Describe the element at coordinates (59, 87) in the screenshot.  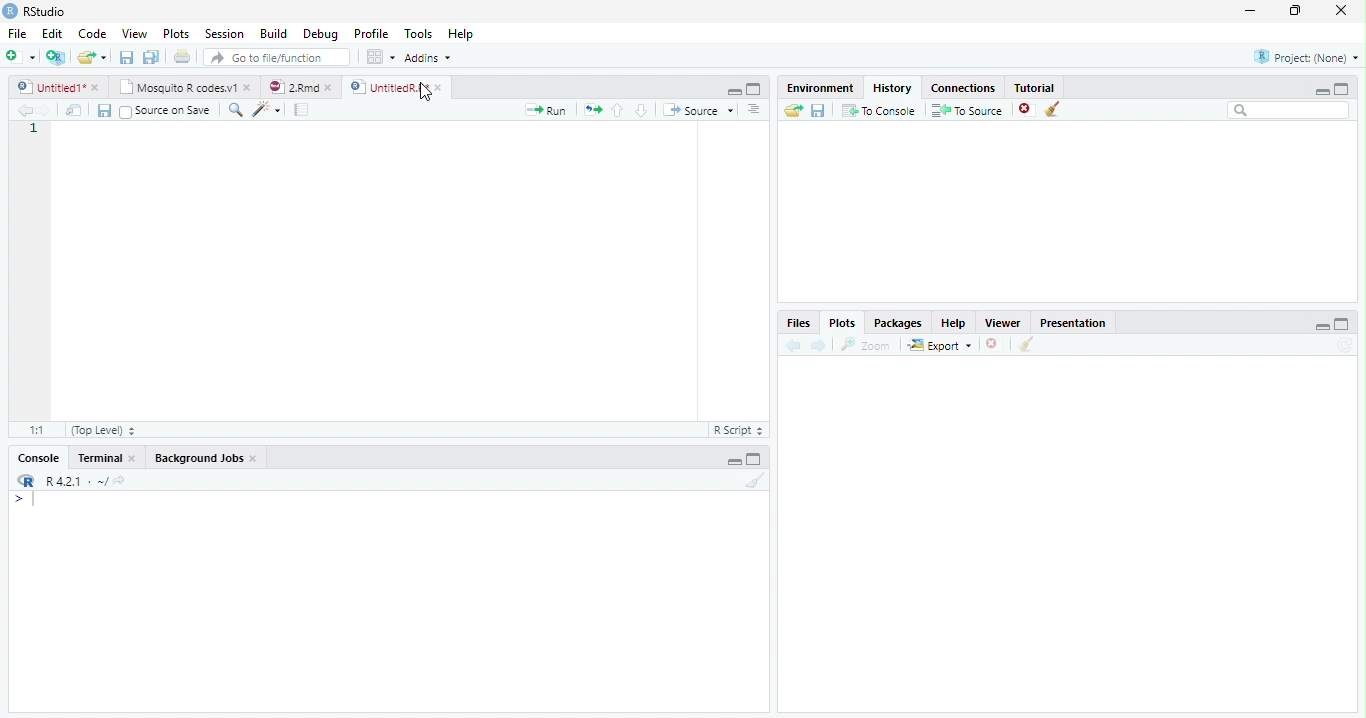
I see `Untitled` at that location.